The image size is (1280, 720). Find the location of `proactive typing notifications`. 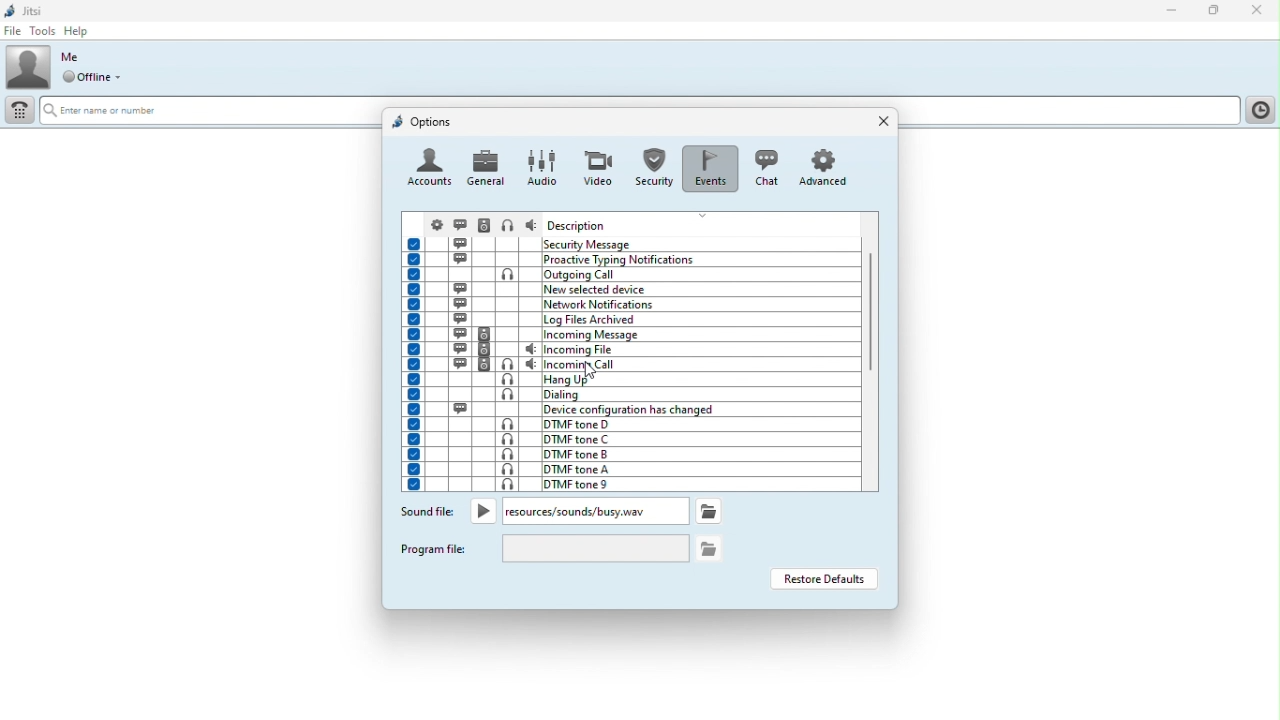

proactive typing notifications is located at coordinates (633, 259).